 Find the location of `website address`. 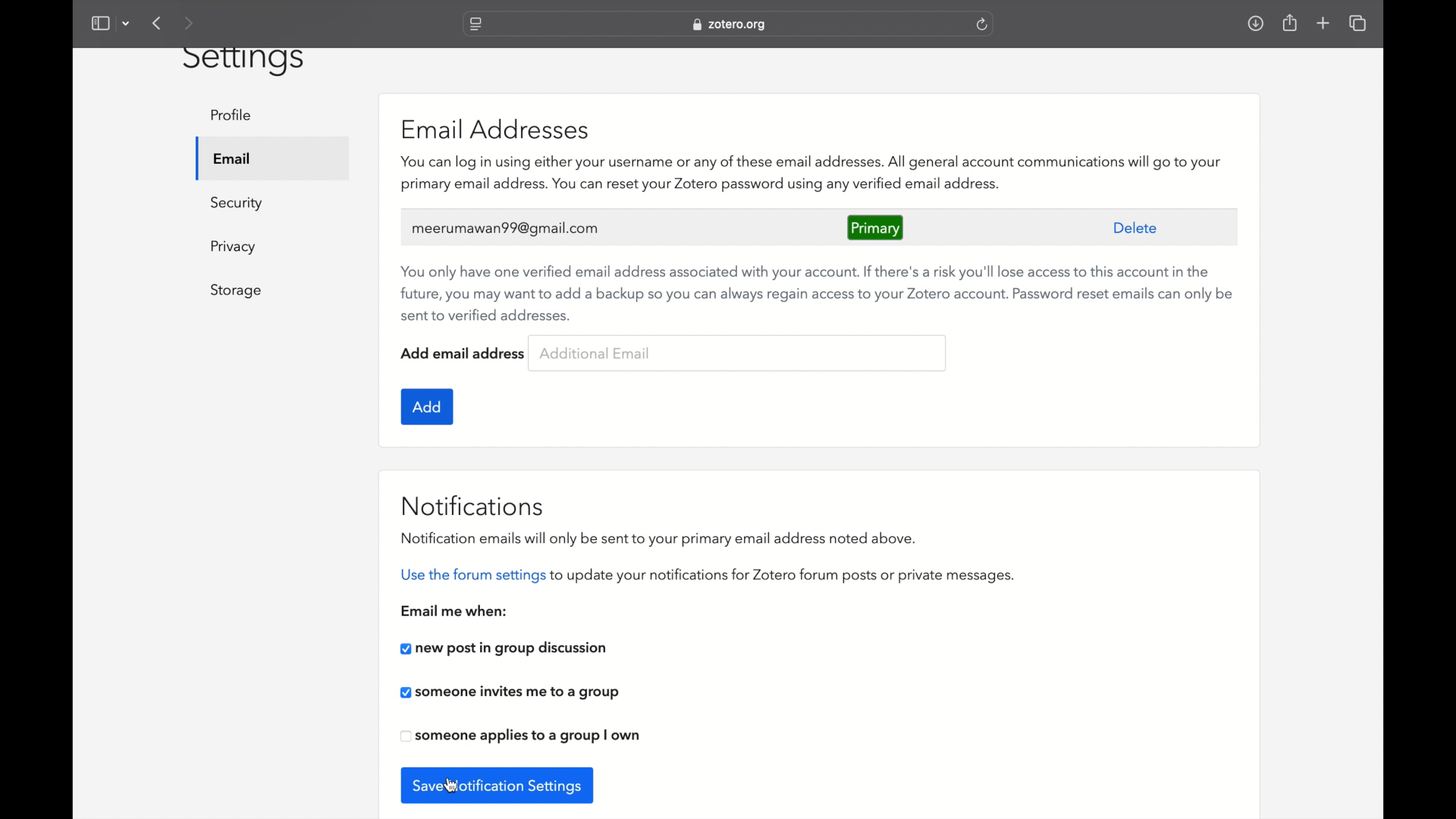

website address is located at coordinates (731, 25).